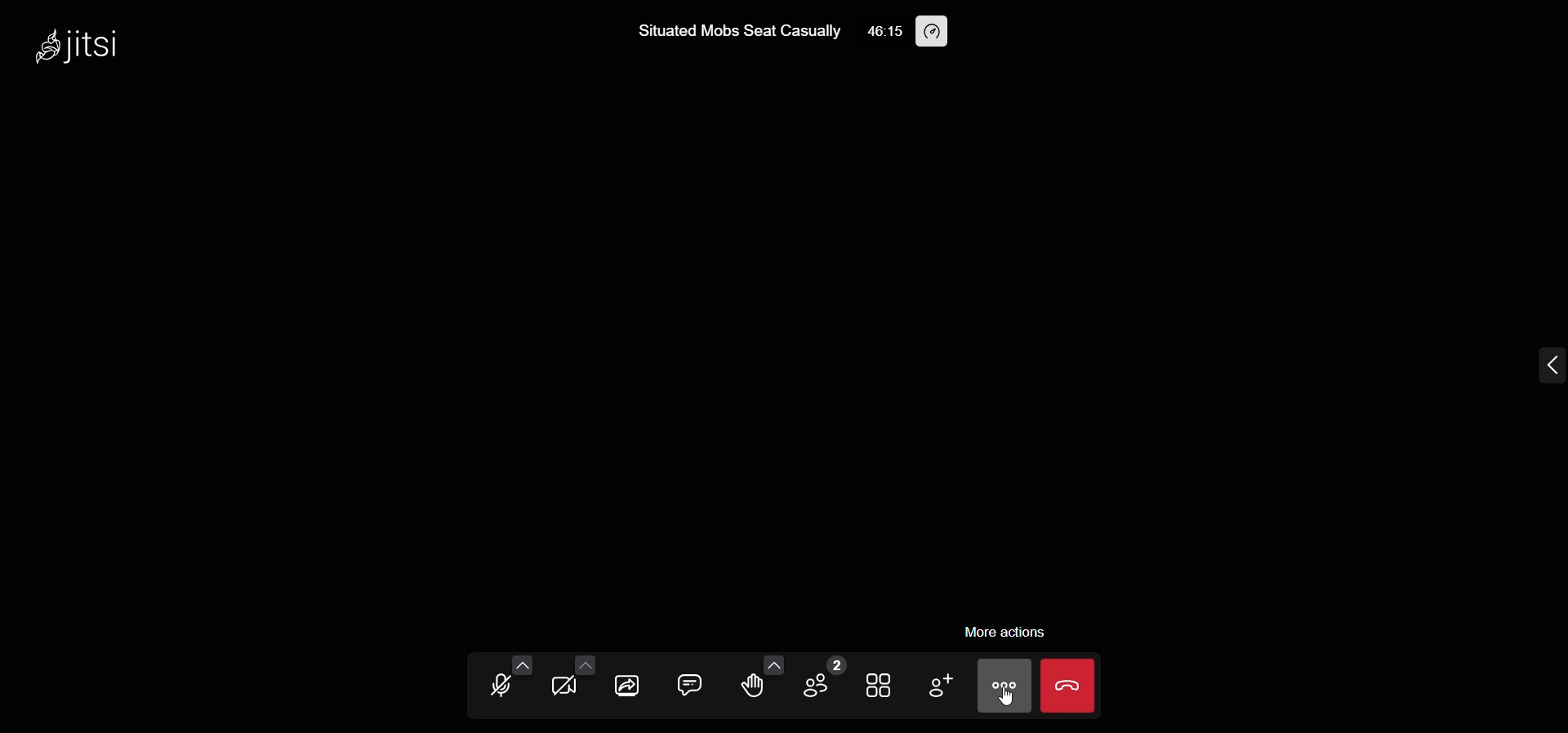 This screenshot has width=1568, height=733. I want to click on invite people, so click(942, 684).